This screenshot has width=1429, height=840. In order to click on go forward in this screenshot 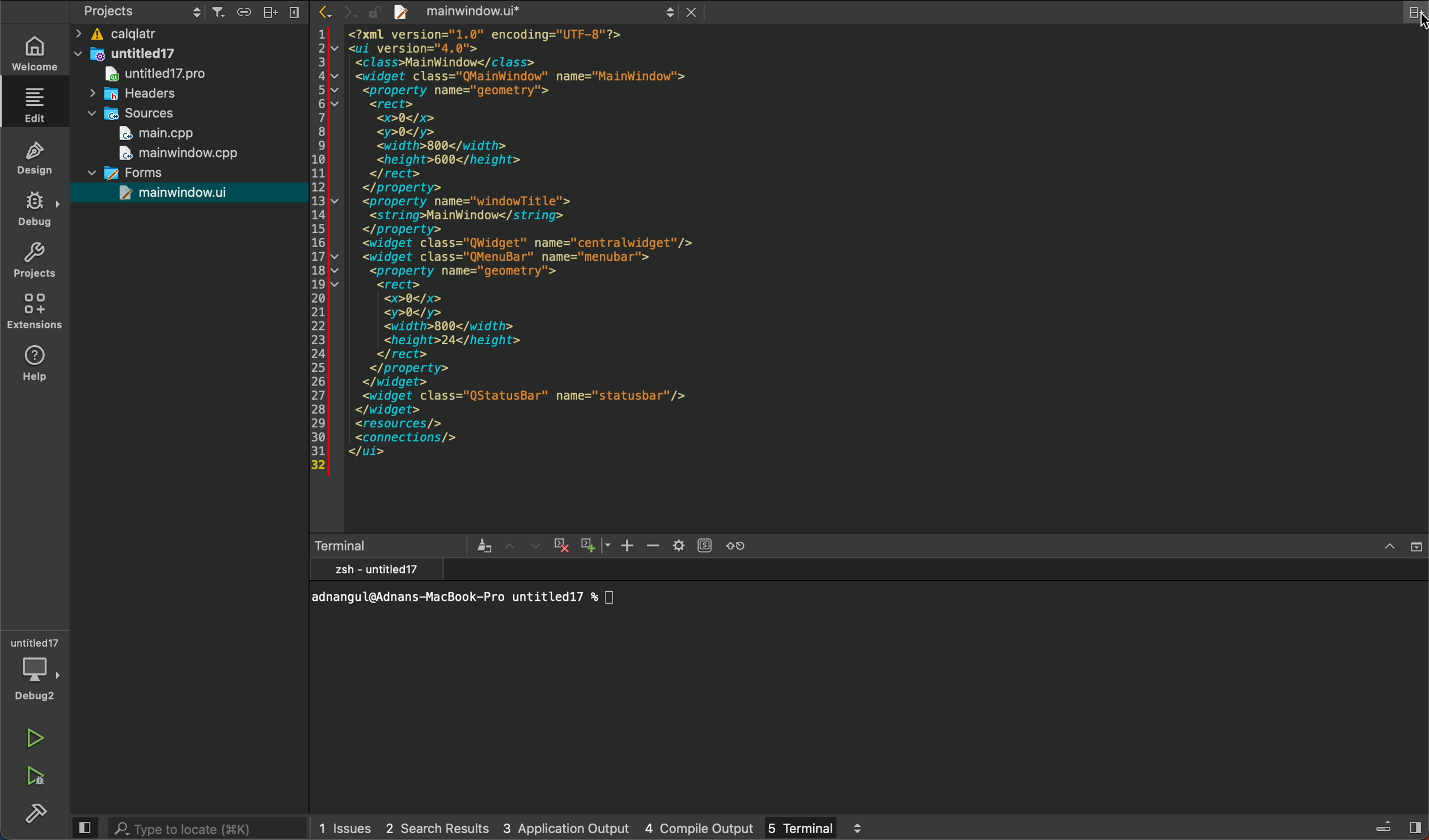, I will do `click(350, 11)`.